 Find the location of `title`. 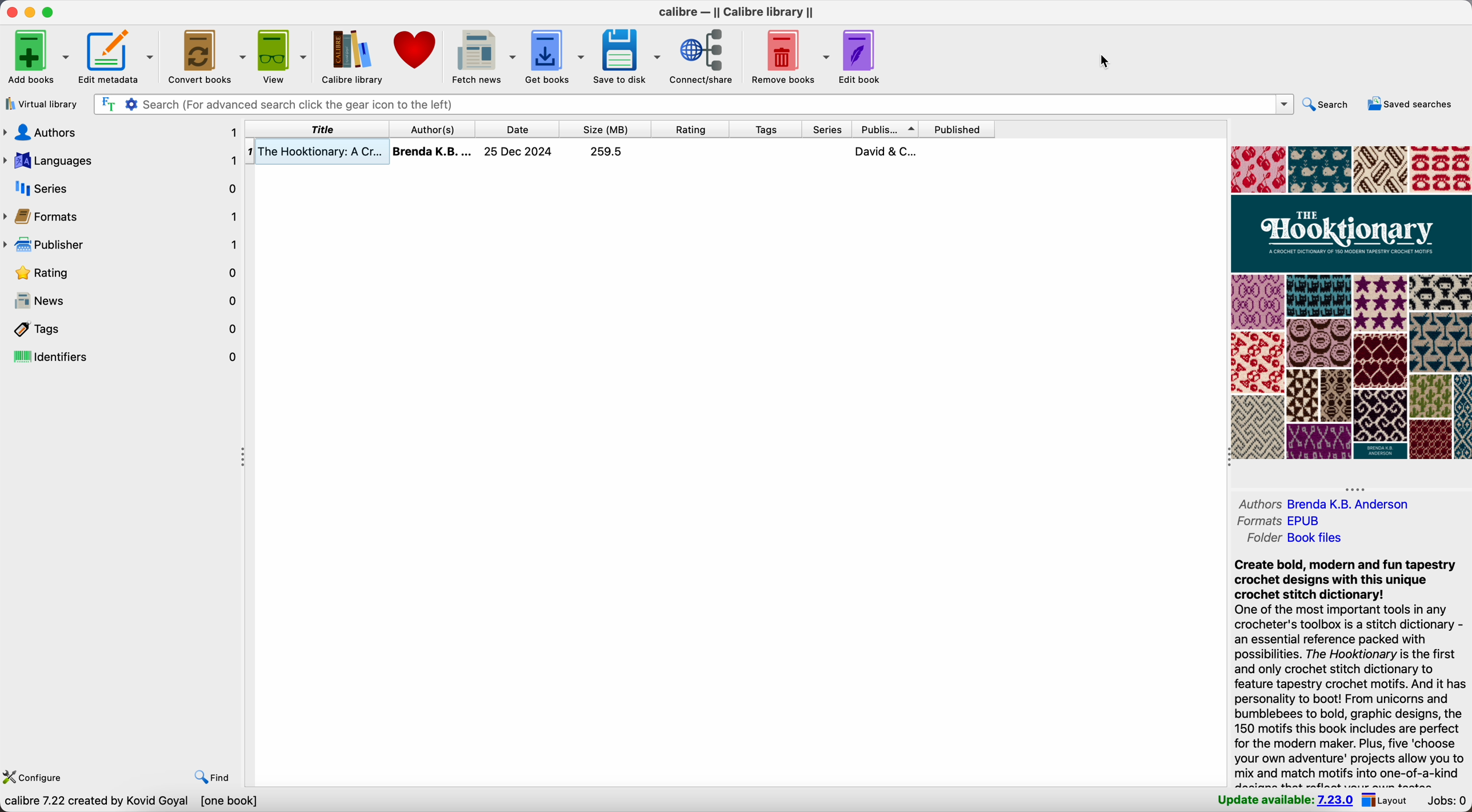

title is located at coordinates (321, 129).